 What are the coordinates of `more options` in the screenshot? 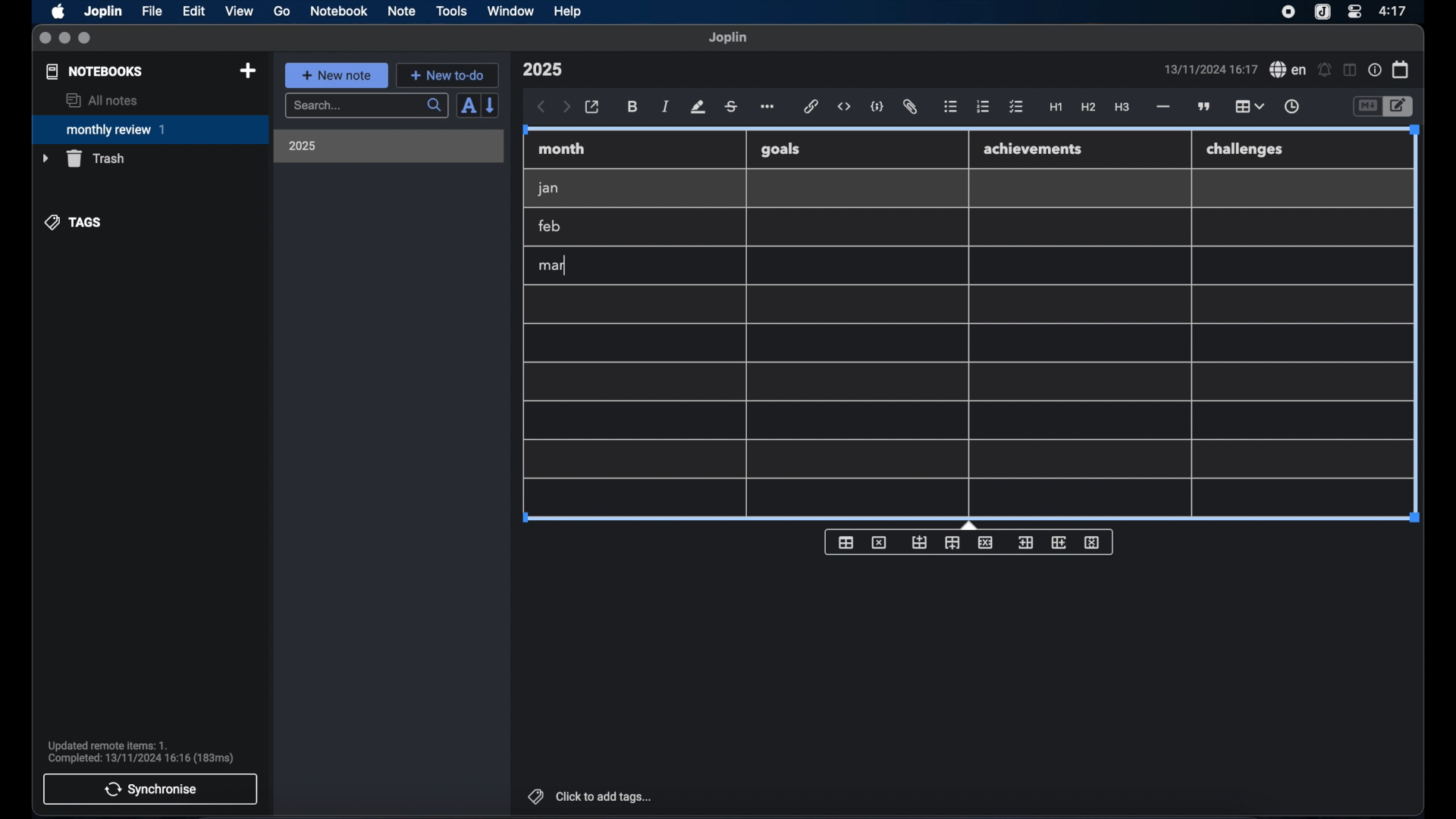 It's located at (769, 108).